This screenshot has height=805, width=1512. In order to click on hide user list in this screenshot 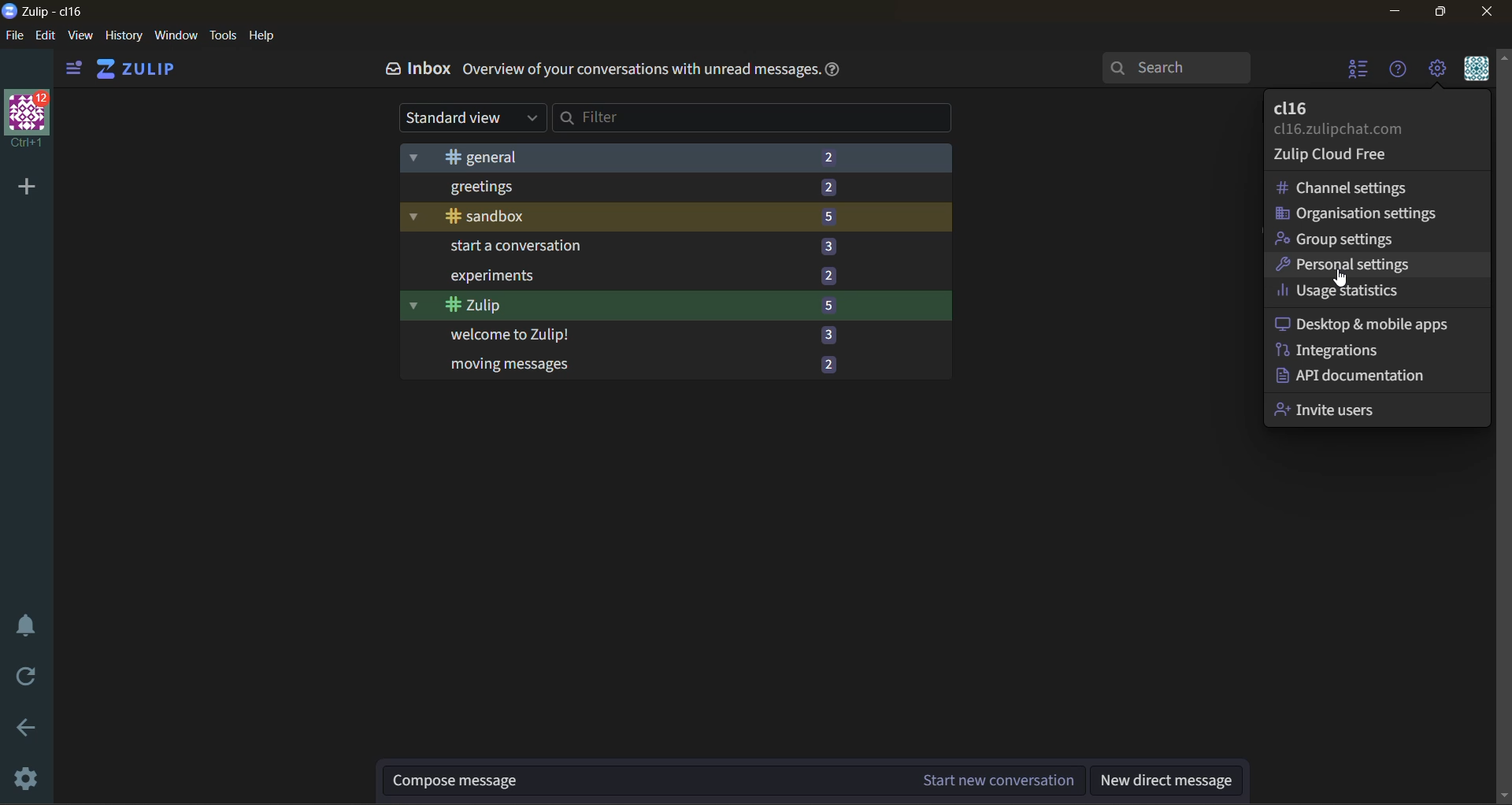, I will do `click(1361, 72)`.